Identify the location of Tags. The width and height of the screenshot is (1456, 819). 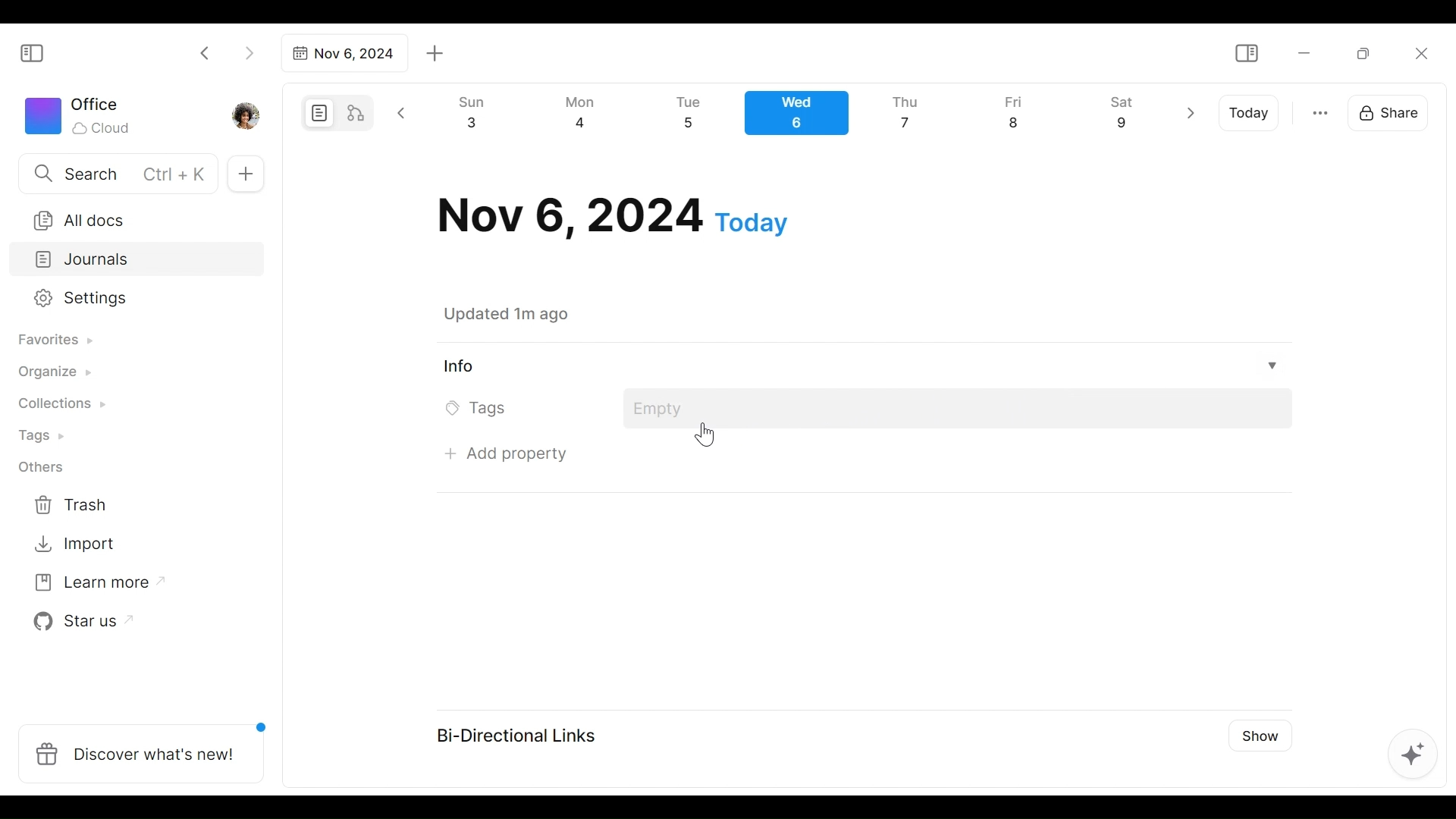
(480, 409).